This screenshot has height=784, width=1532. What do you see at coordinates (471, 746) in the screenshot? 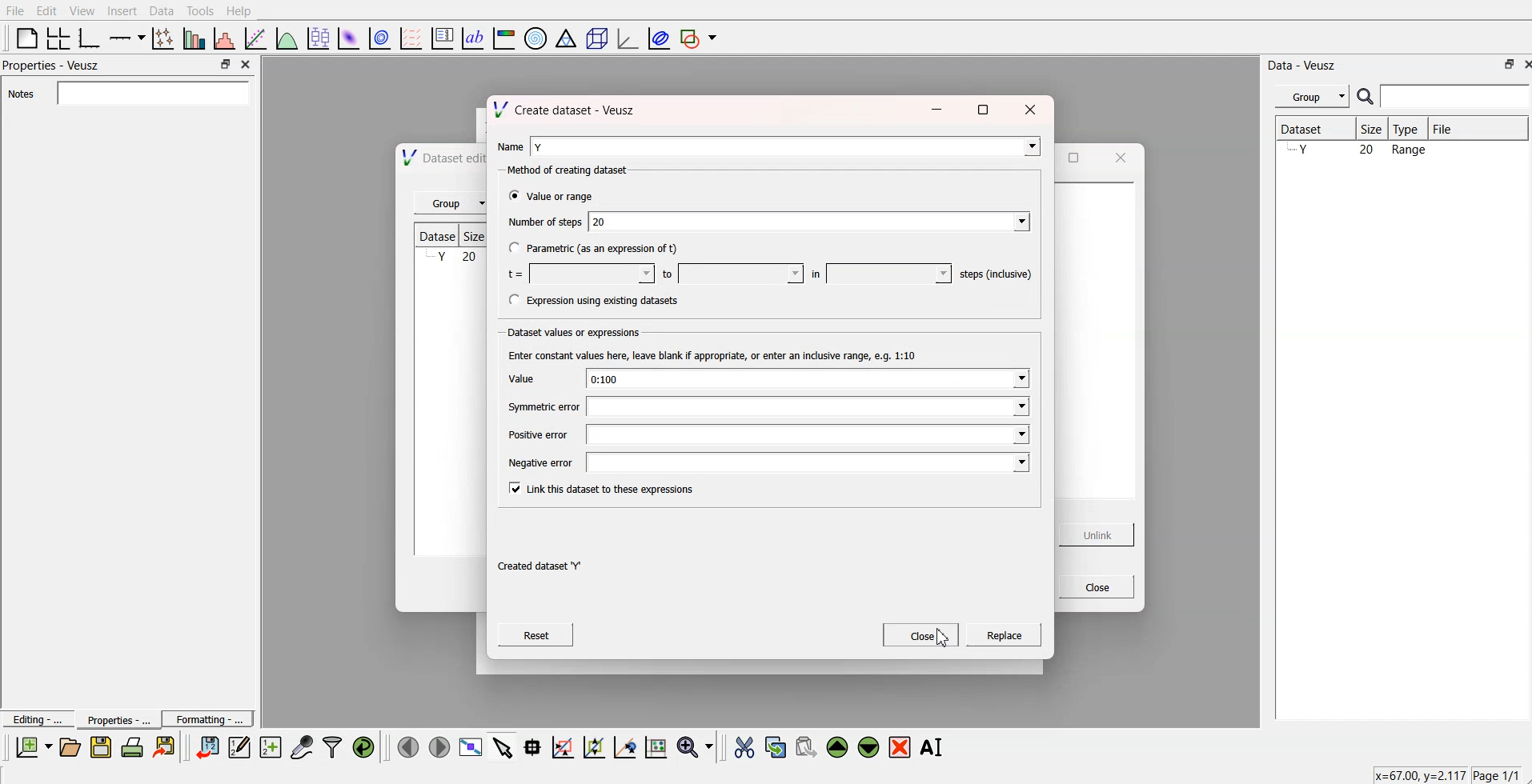
I see `View plot full screen` at bounding box center [471, 746].